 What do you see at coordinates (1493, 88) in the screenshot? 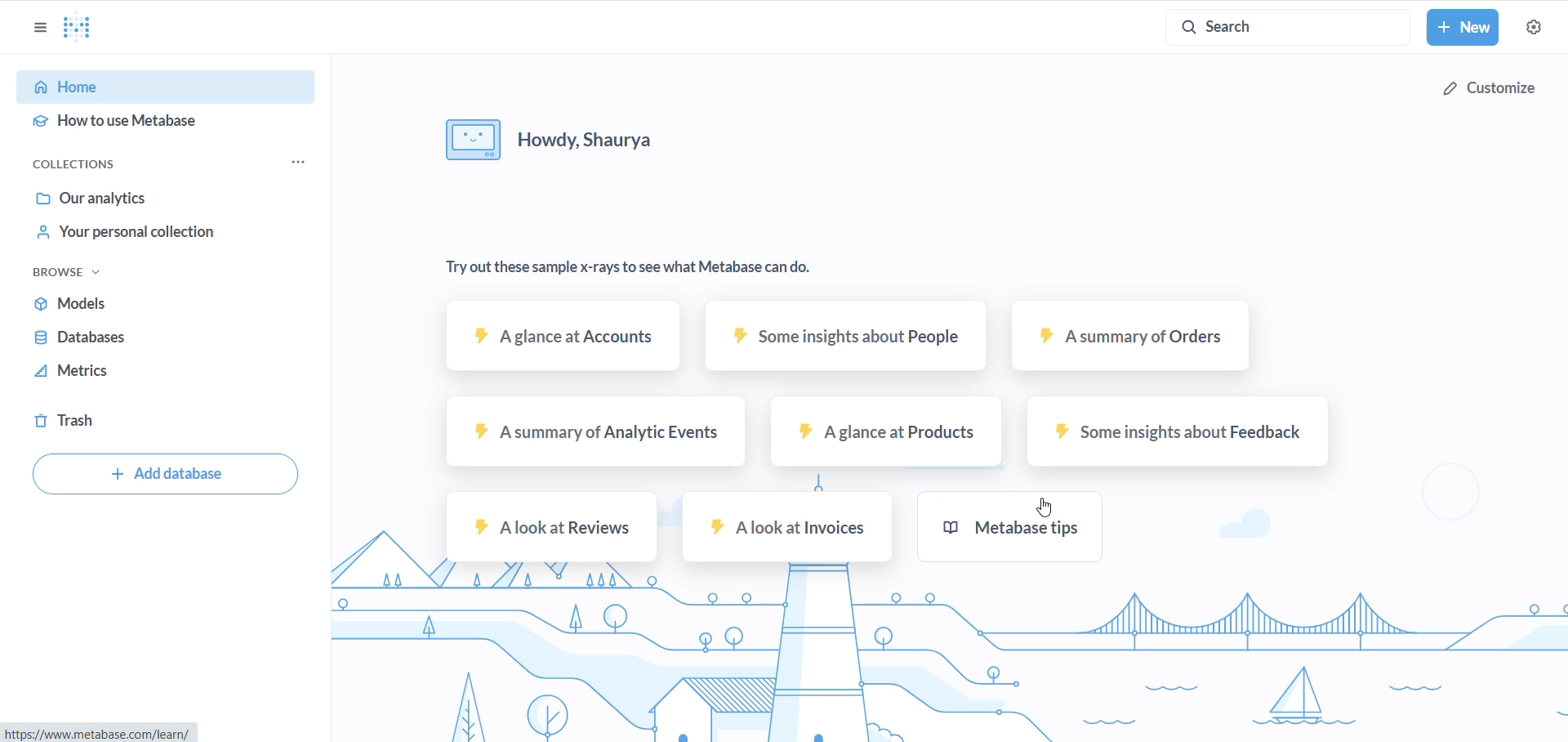
I see `settings` at bounding box center [1493, 88].